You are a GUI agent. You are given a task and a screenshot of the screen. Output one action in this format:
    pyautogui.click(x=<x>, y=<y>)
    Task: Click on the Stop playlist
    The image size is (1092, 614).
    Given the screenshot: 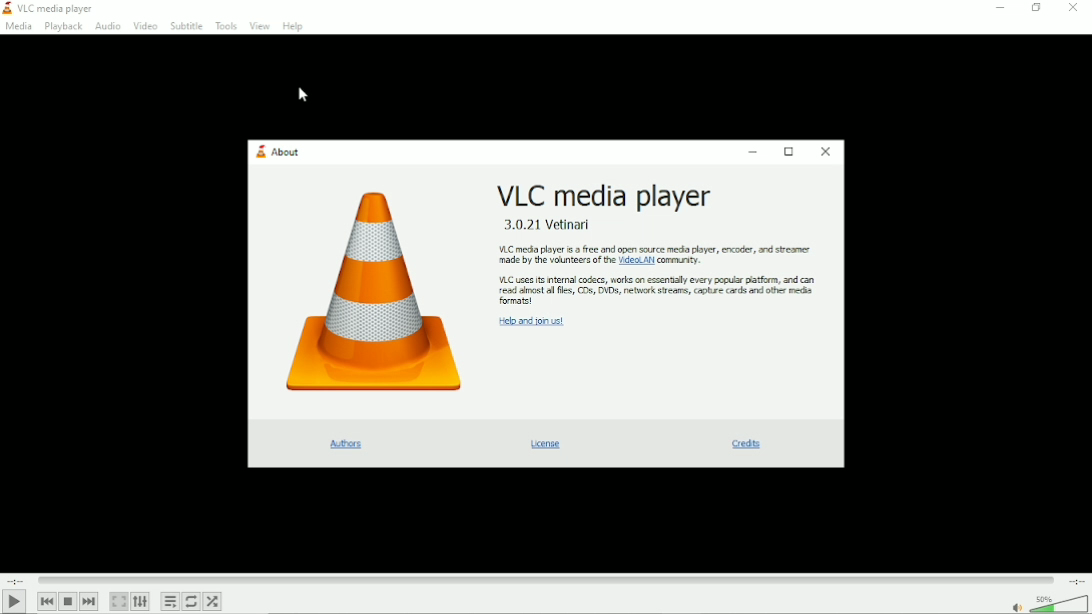 What is the action you would take?
    pyautogui.click(x=67, y=600)
    